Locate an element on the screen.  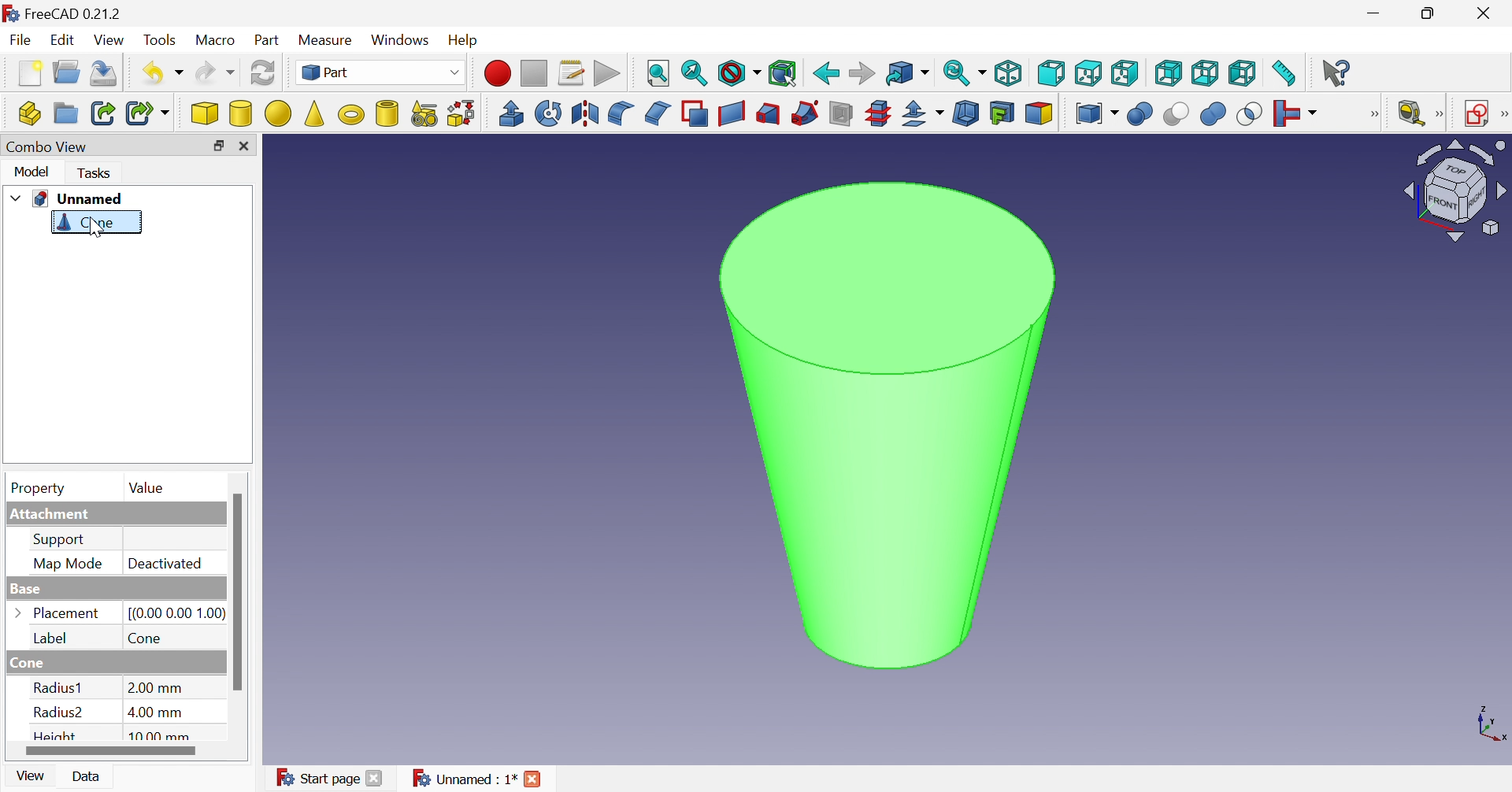
Close is located at coordinates (246, 146).